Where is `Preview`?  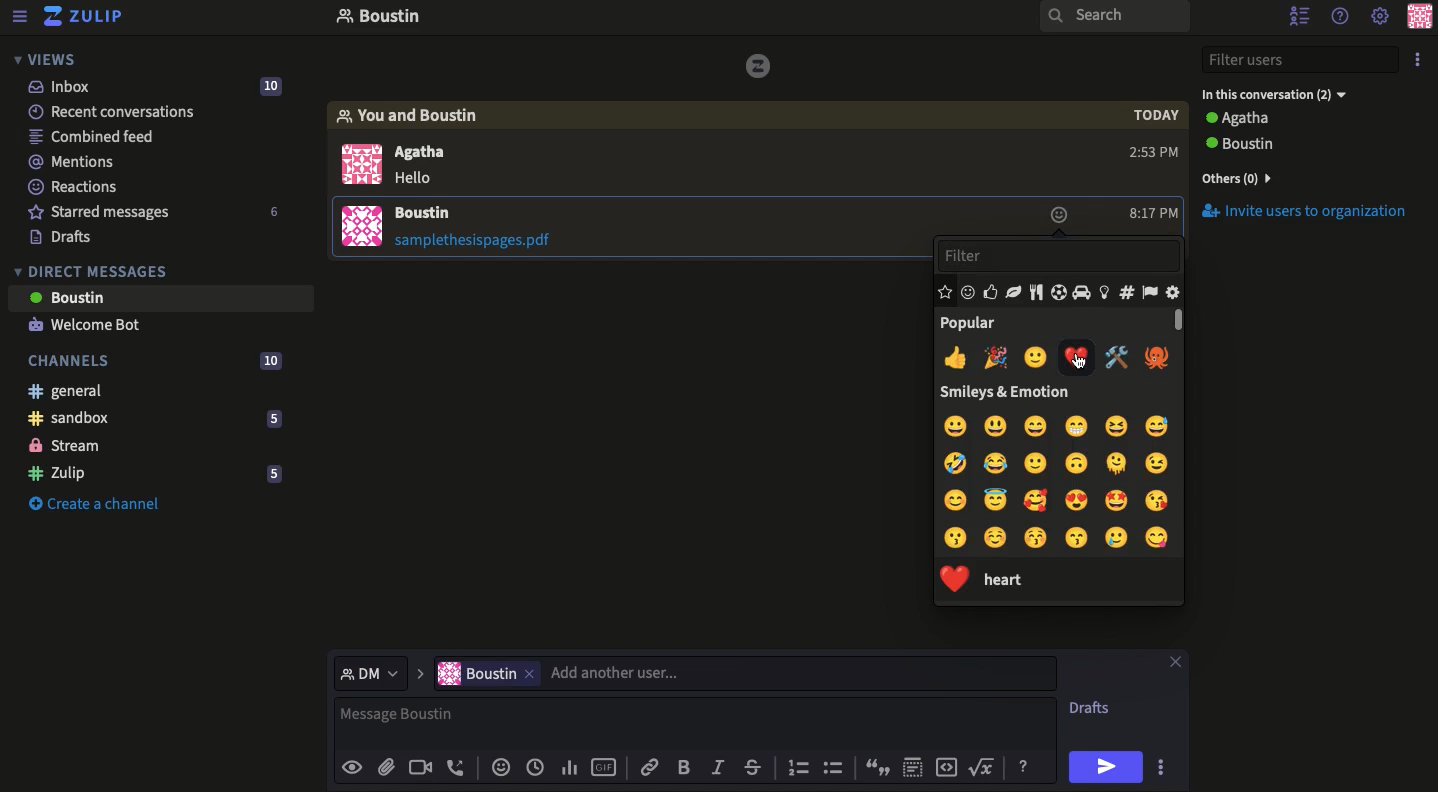
Preview is located at coordinates (354, 768).